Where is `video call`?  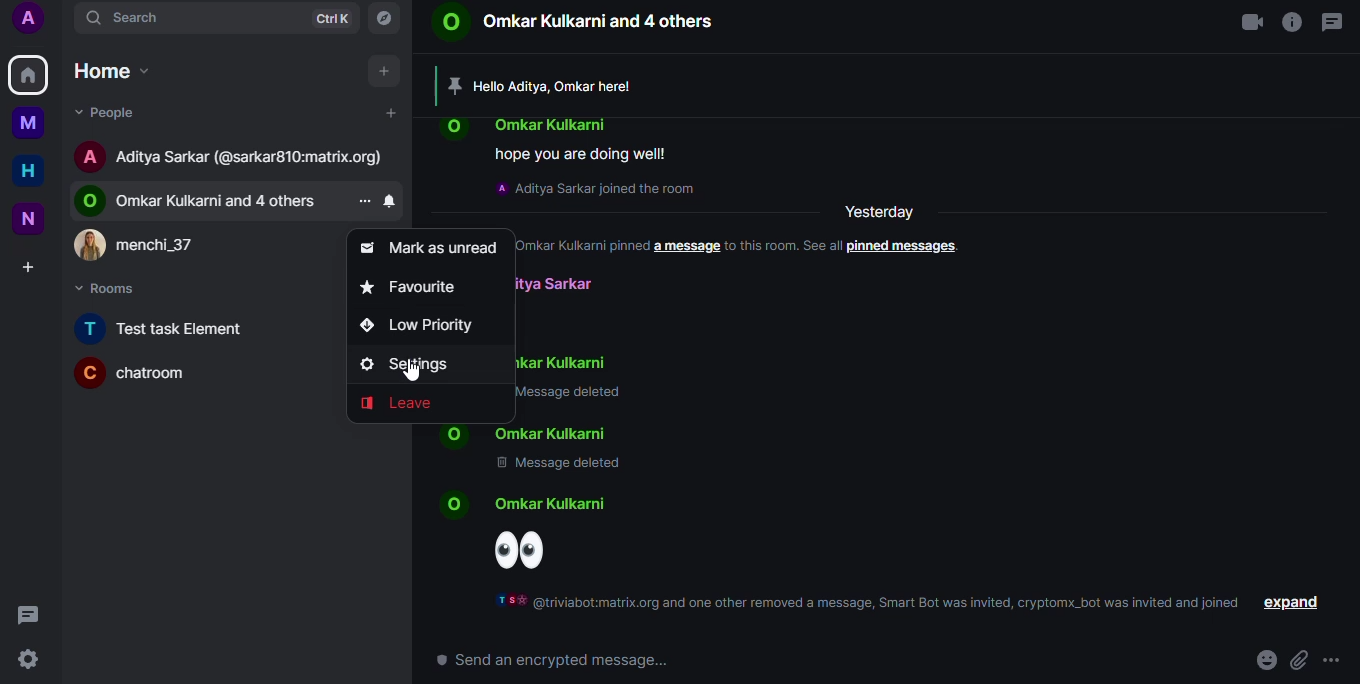
video call is located at coordinates (1250, 24).